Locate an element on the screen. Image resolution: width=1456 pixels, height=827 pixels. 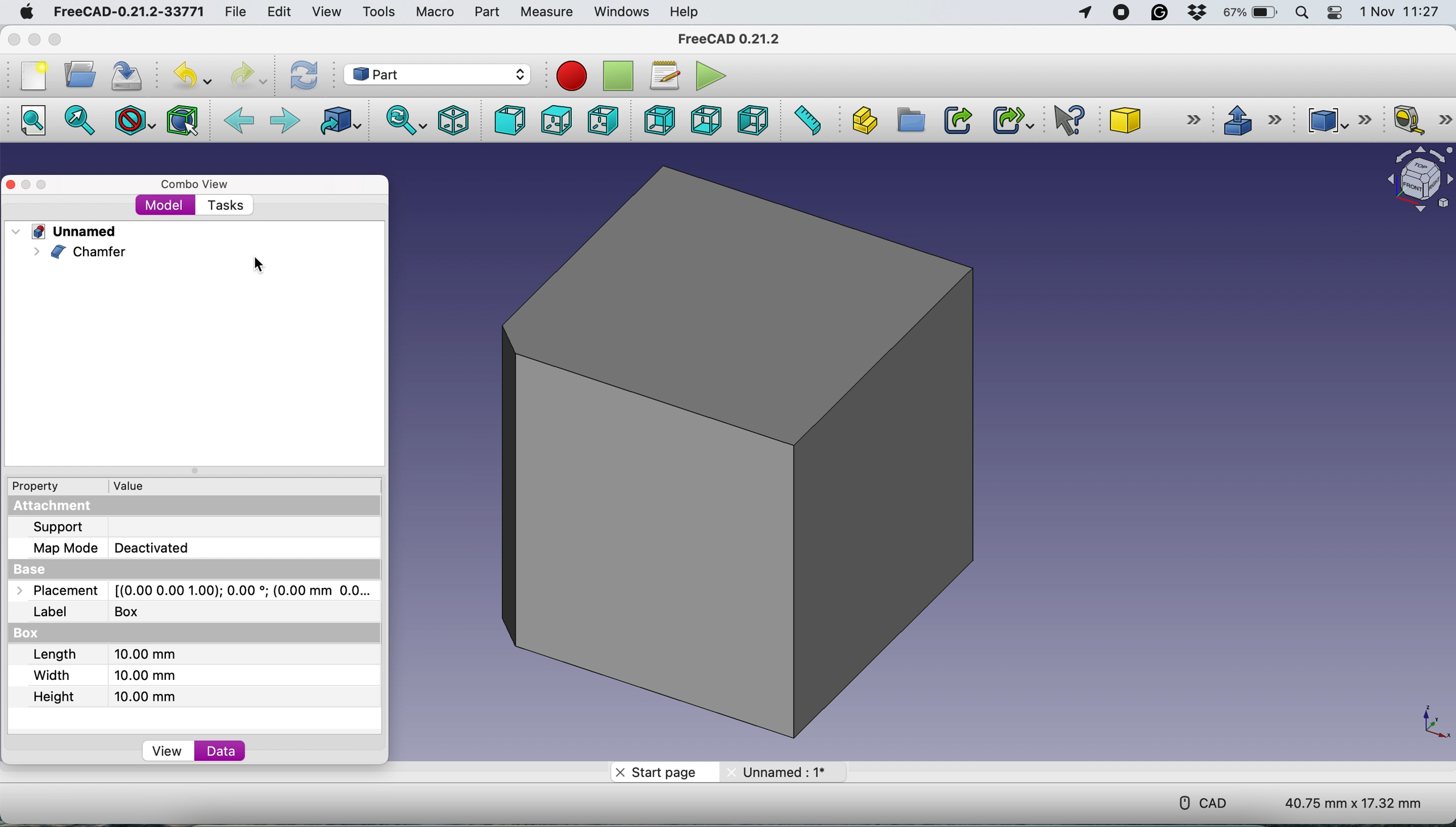
right is located at coordinates (608, 119).